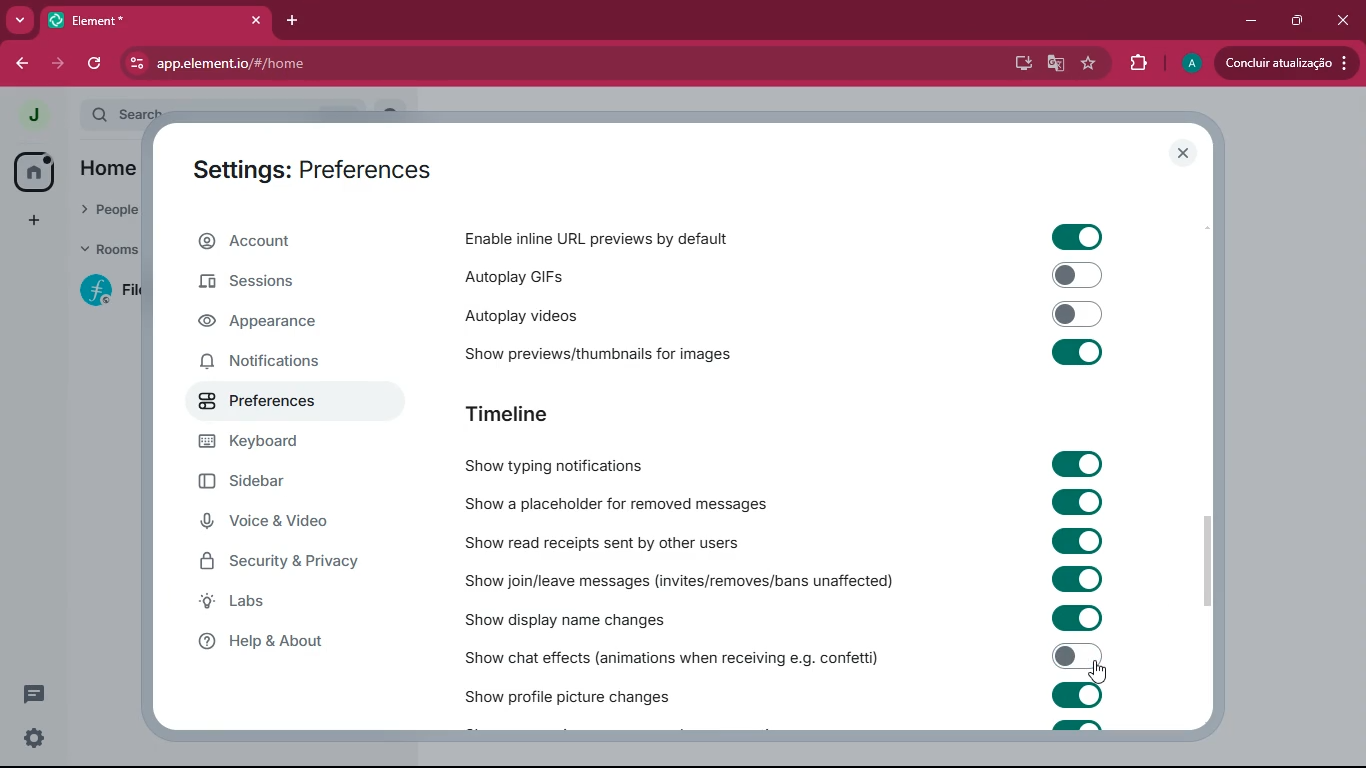 Image resolution: width=1366 pixels, height=768 pixels. I want to click on sidebar, so click(271, 484).